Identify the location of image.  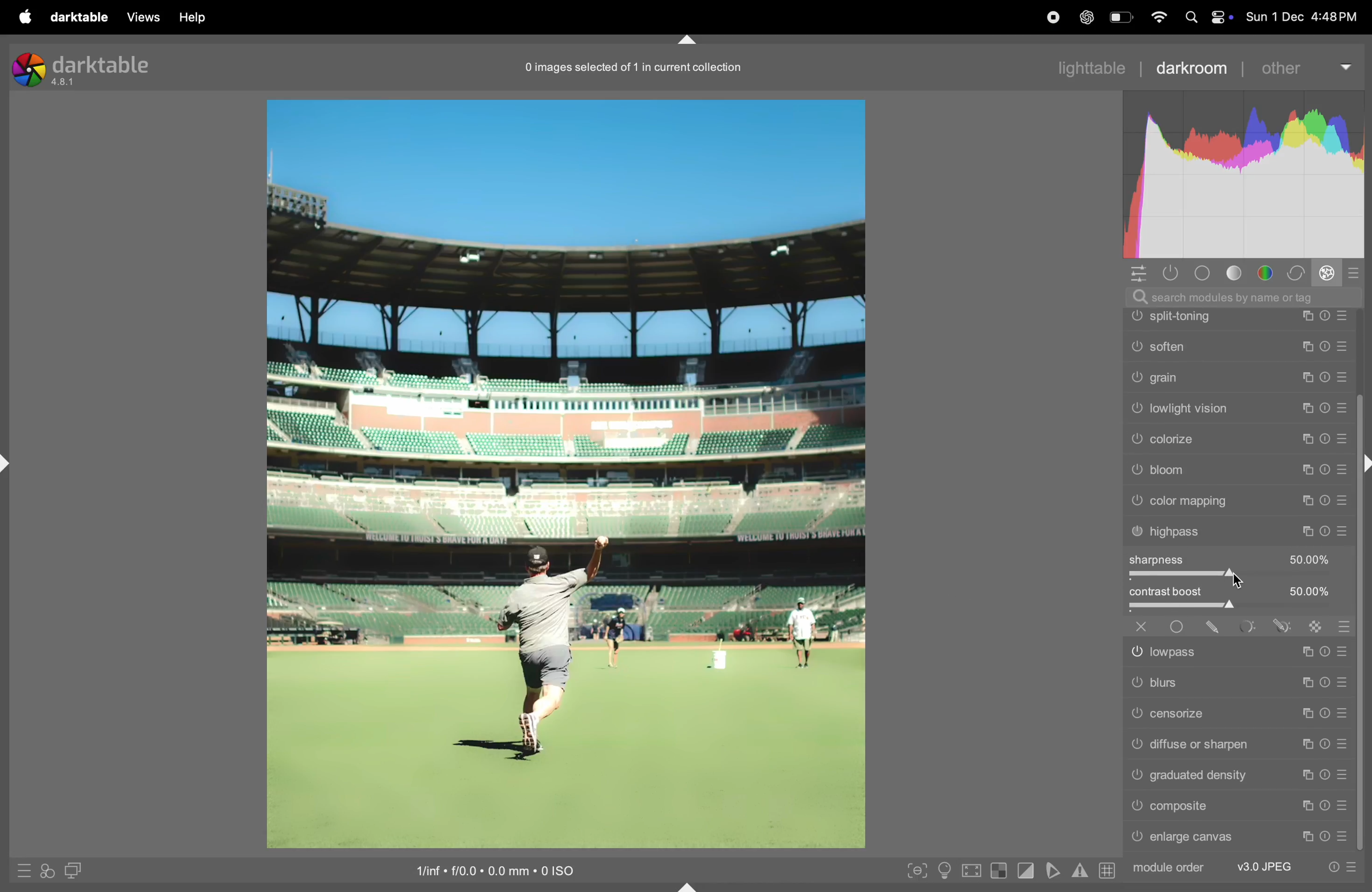
(565, 472).